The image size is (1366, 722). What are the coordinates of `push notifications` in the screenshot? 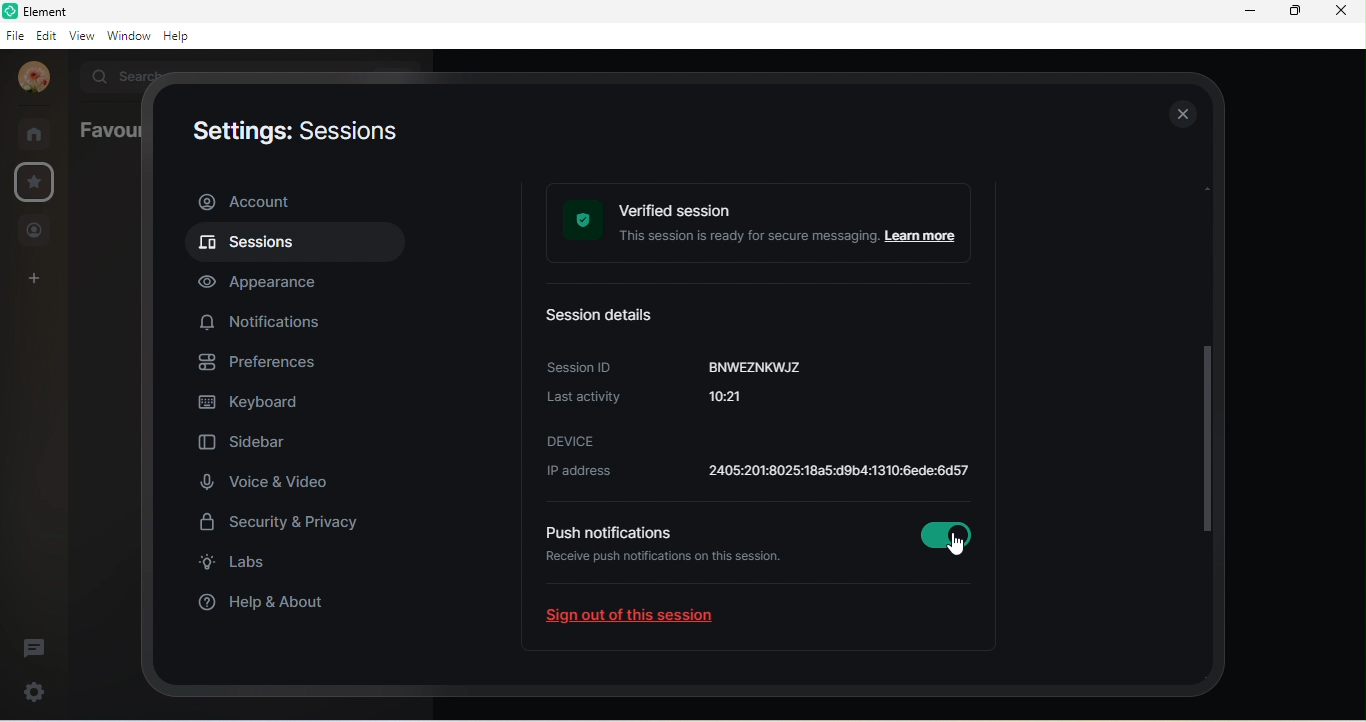 It's located at (607, 532).